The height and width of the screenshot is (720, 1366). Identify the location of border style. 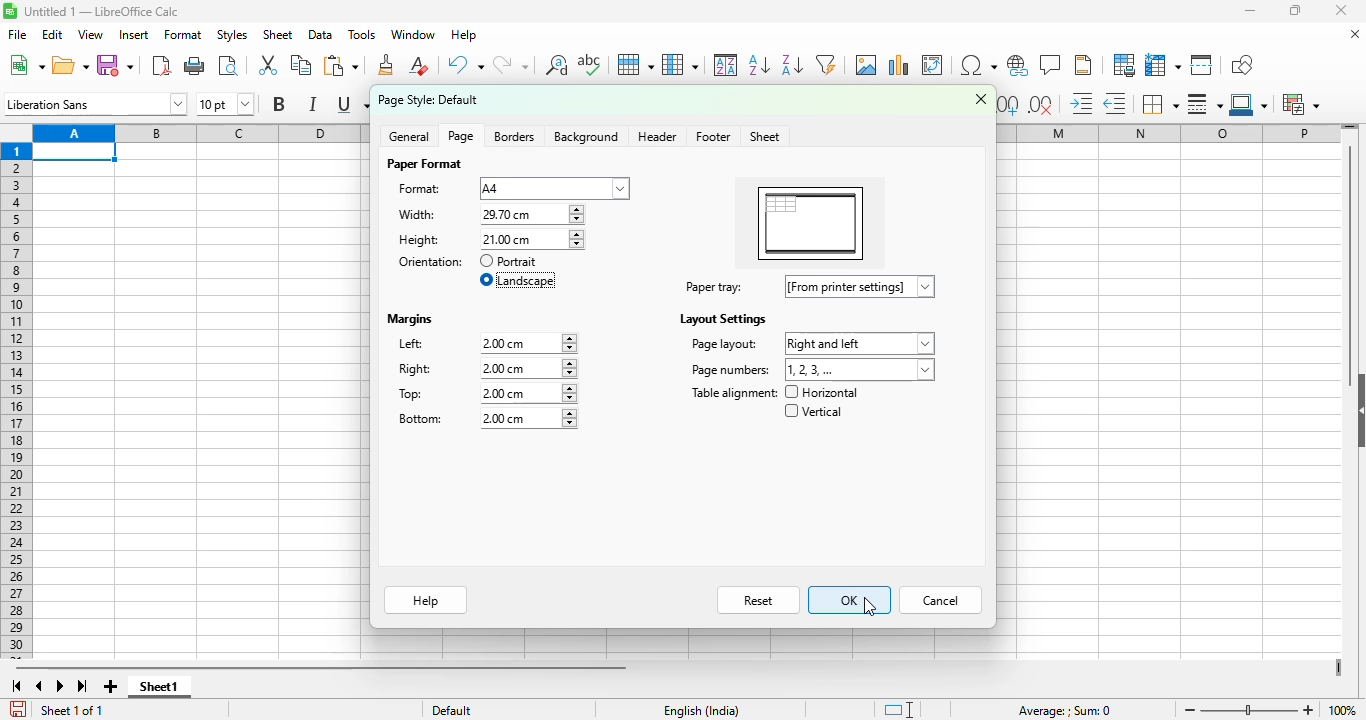
(1204, 104).